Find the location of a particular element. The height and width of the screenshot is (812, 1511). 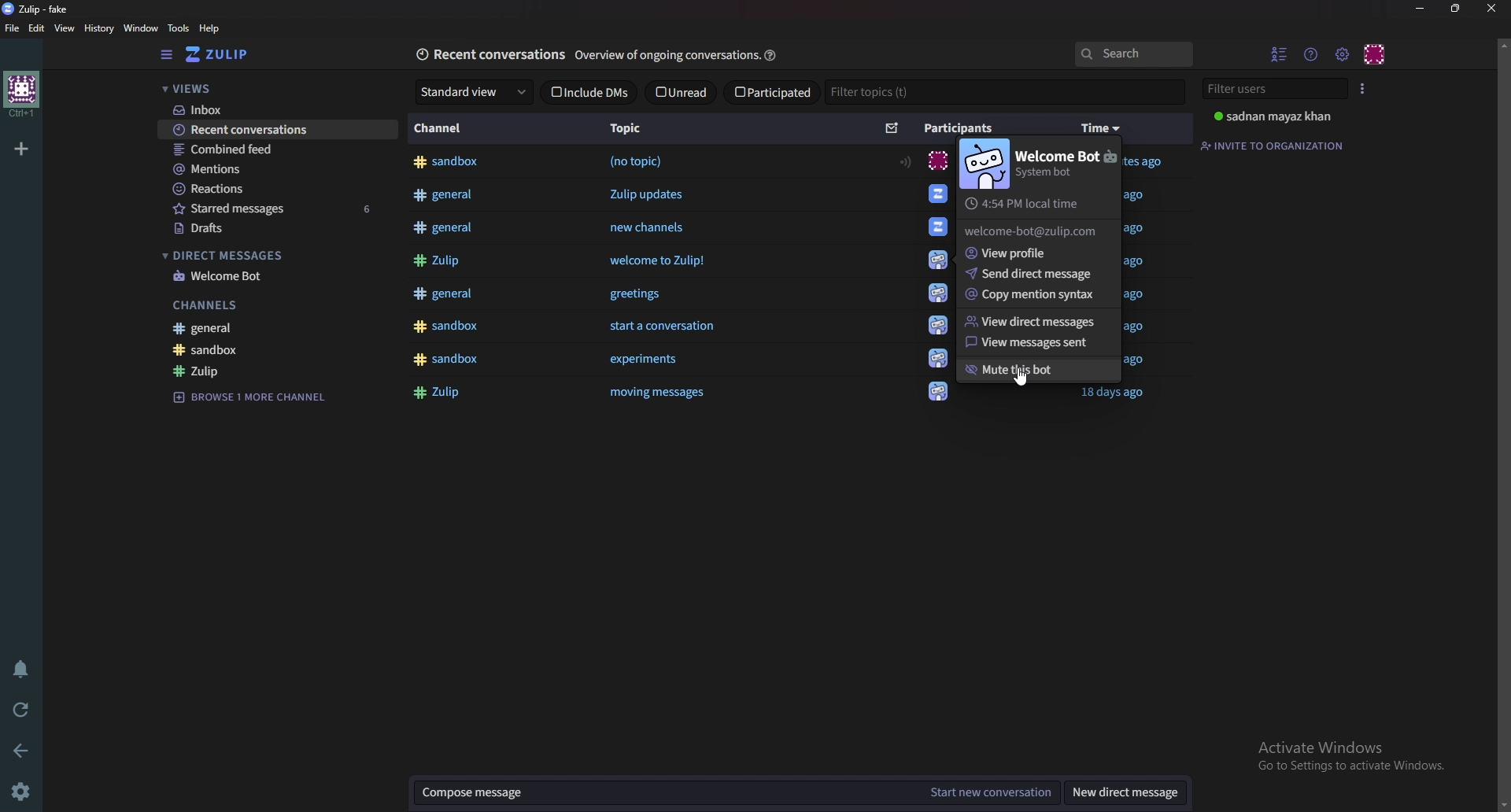

Starred messages is located at coordinates (283, 209).